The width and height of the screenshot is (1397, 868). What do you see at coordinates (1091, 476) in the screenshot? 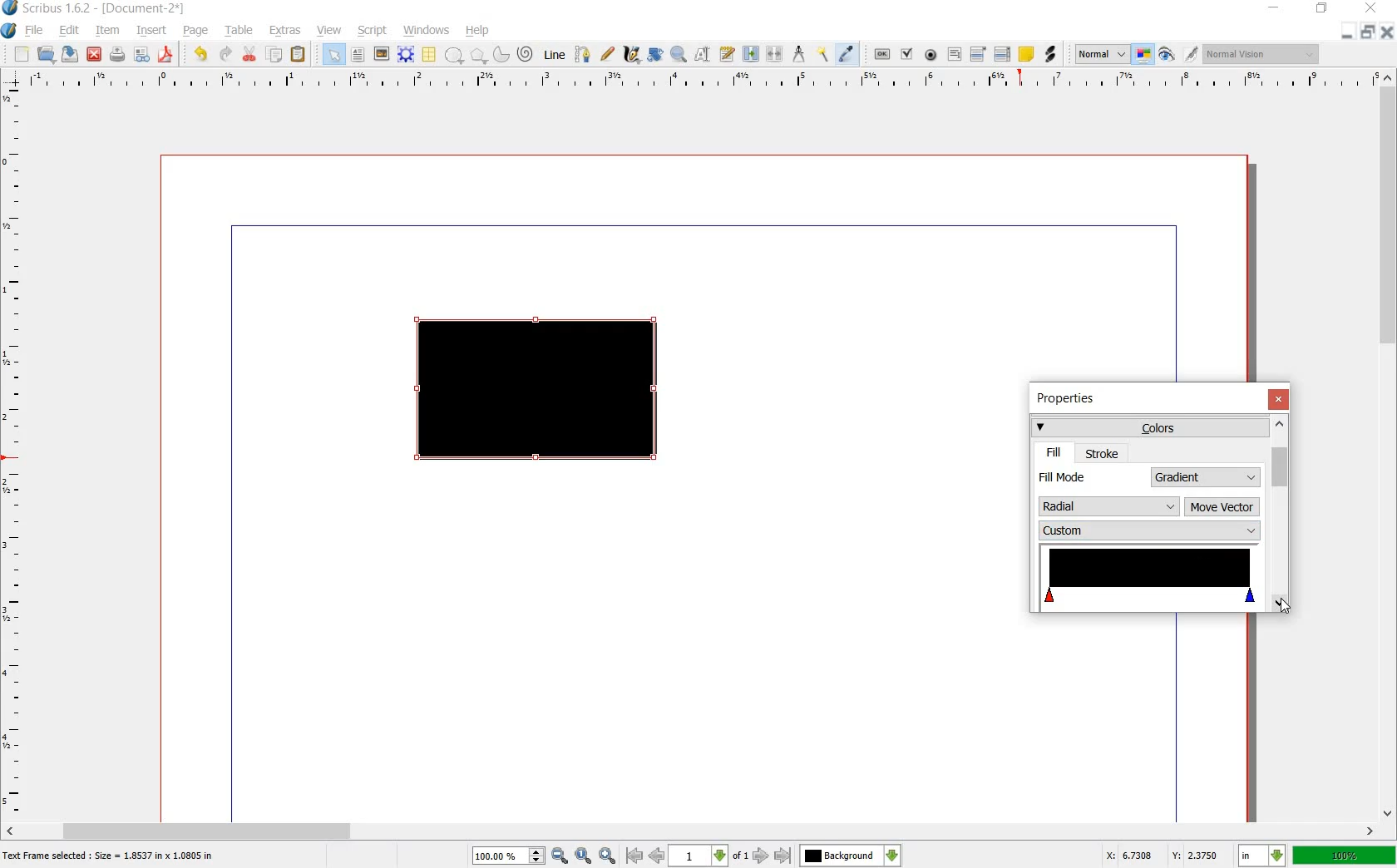
I see `fill mode` at bounding box center [1091, 476].